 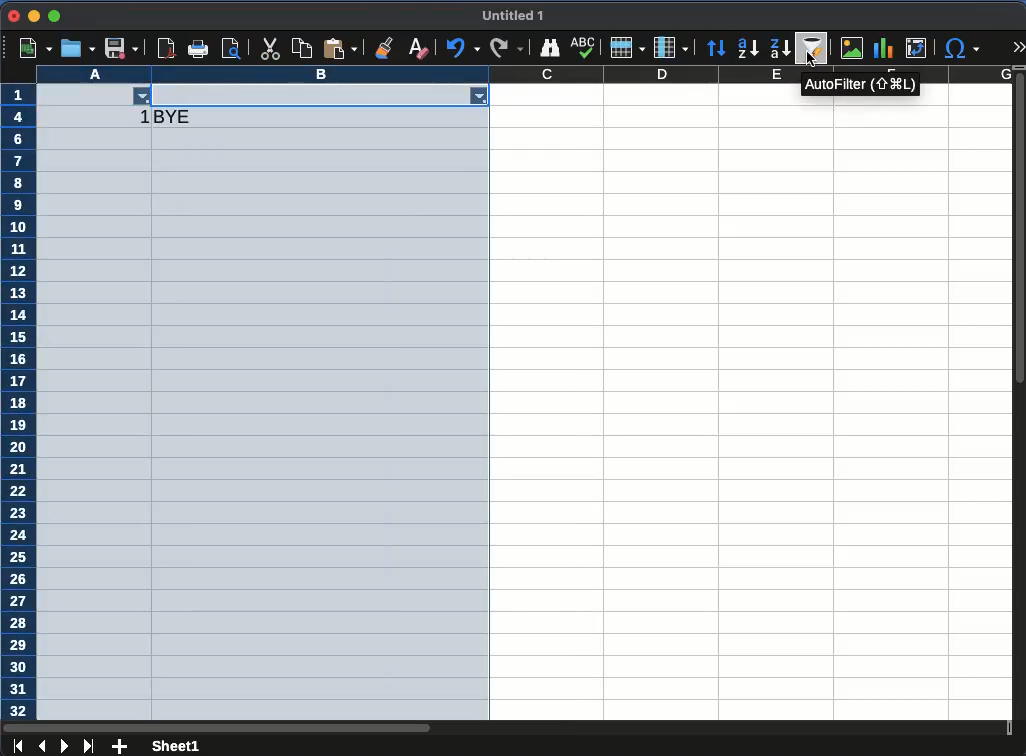 I want to click on bye, so click(x=177, y=116).